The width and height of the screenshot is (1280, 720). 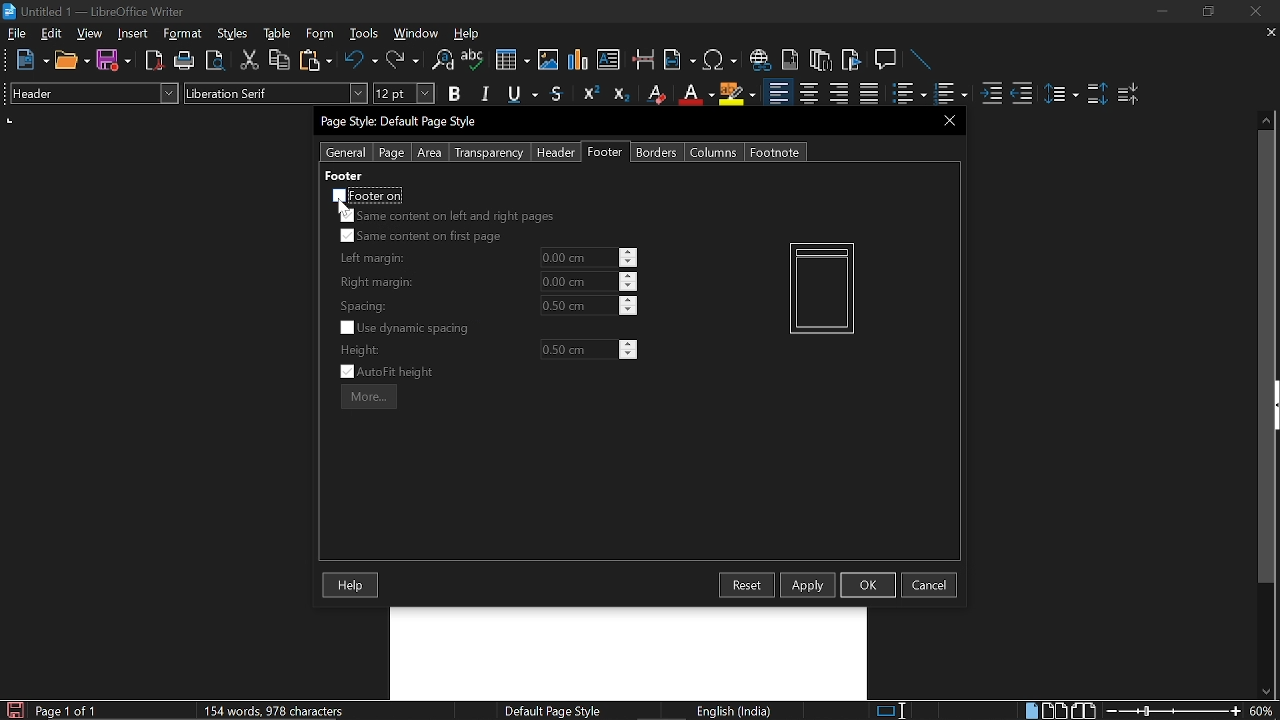 I want to click on Footer, so click(x=606, y=152).